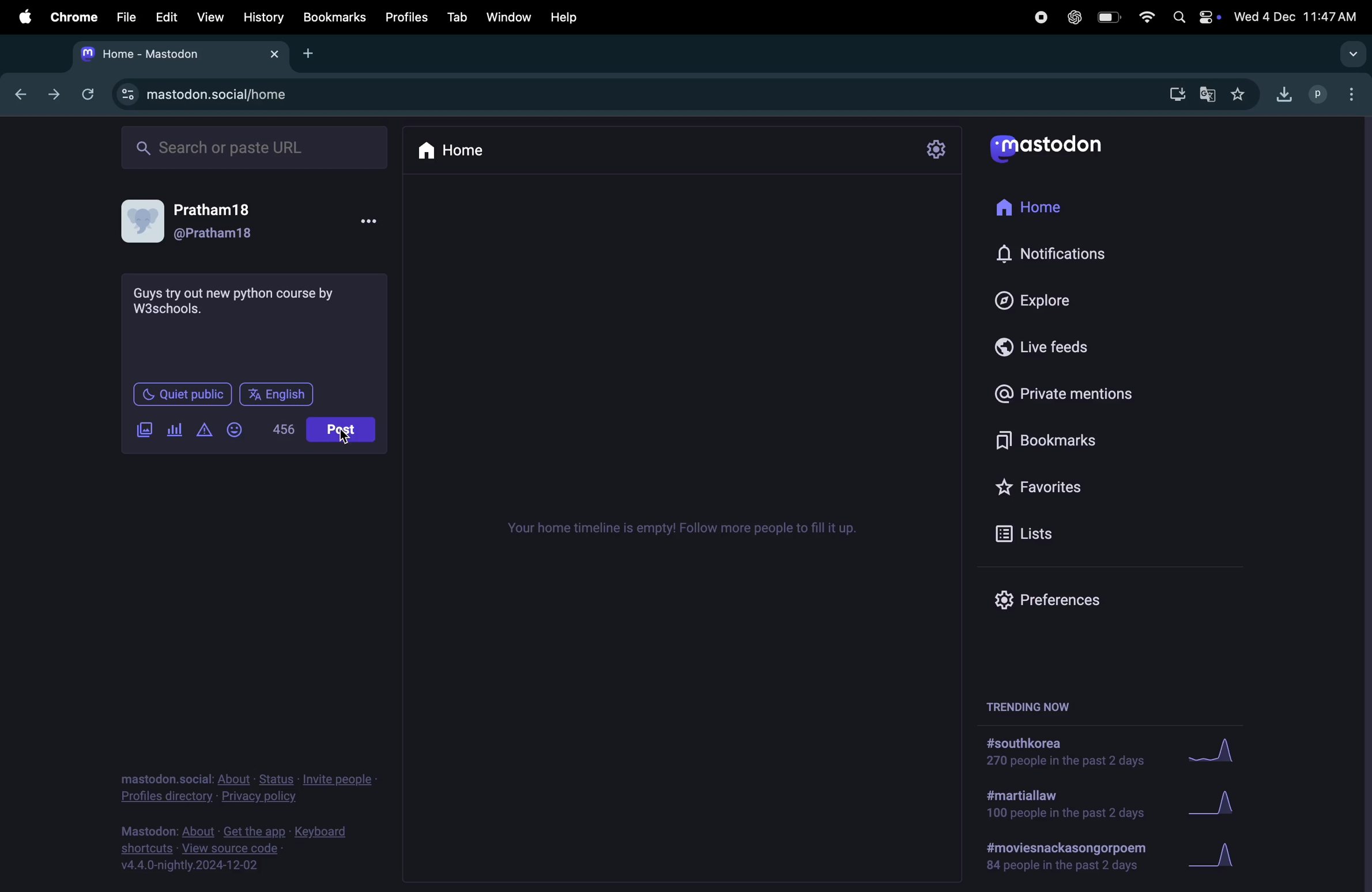  Describe the element at coordinates (92, 95) in the screenshot. I see `refresh` at that location.